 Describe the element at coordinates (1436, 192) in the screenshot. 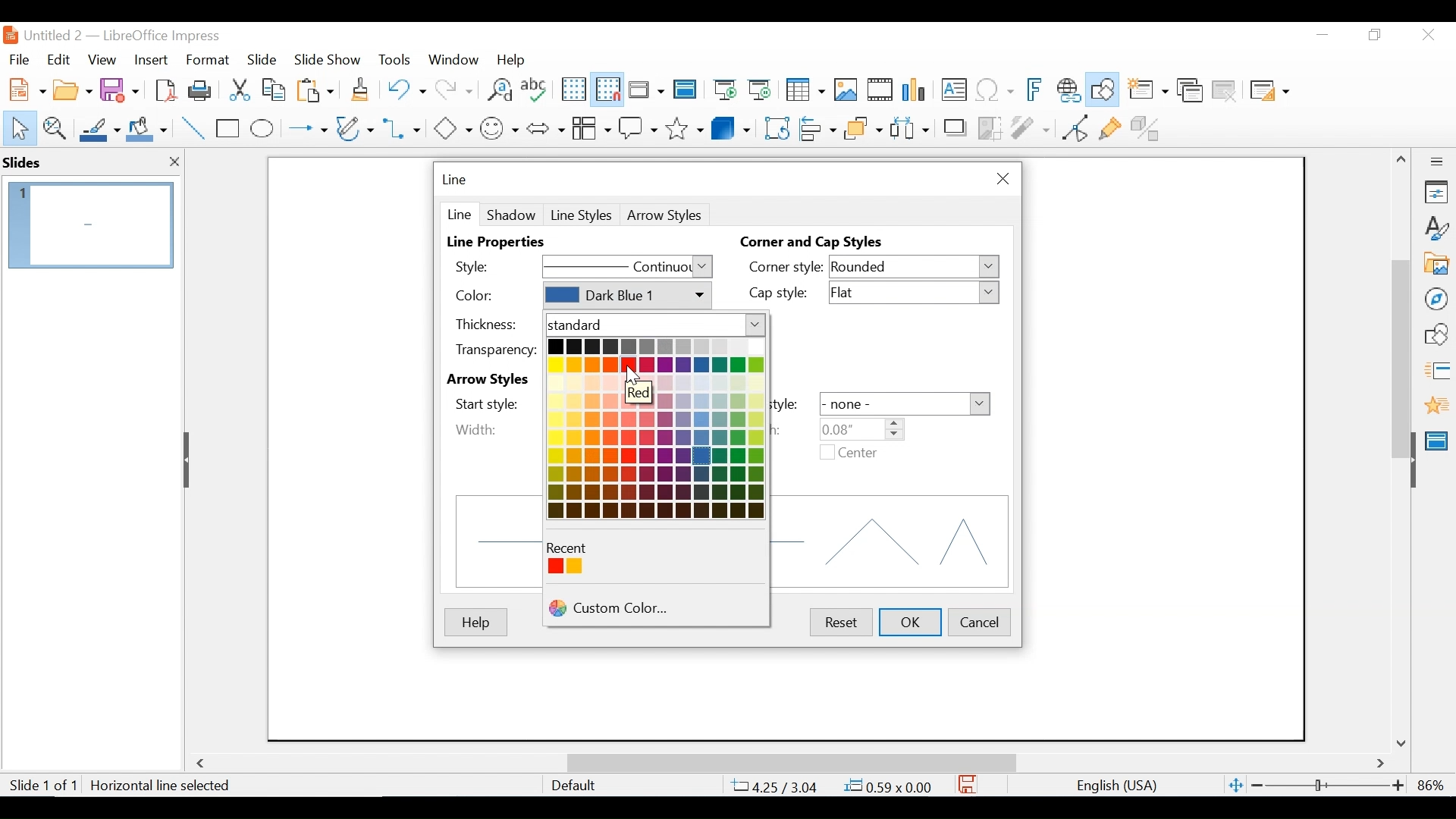

I see `Properties` at that location.